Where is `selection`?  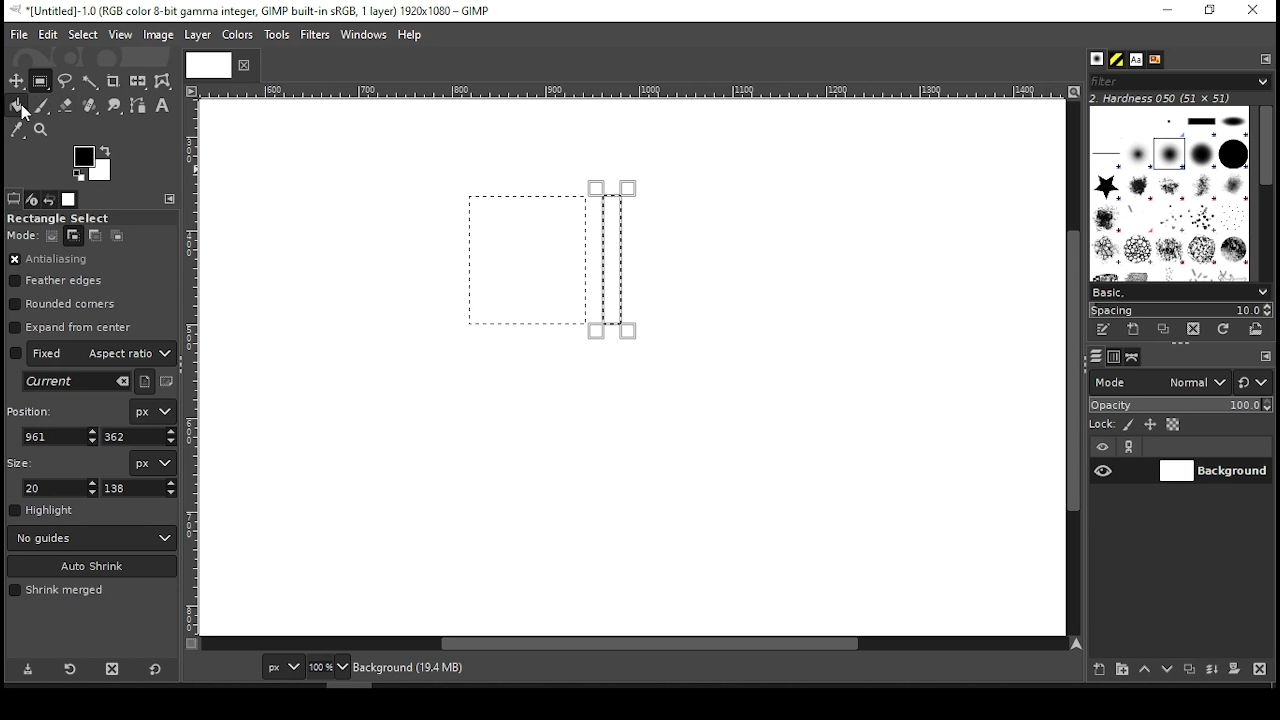 selection is located at coordinates (528, 260).